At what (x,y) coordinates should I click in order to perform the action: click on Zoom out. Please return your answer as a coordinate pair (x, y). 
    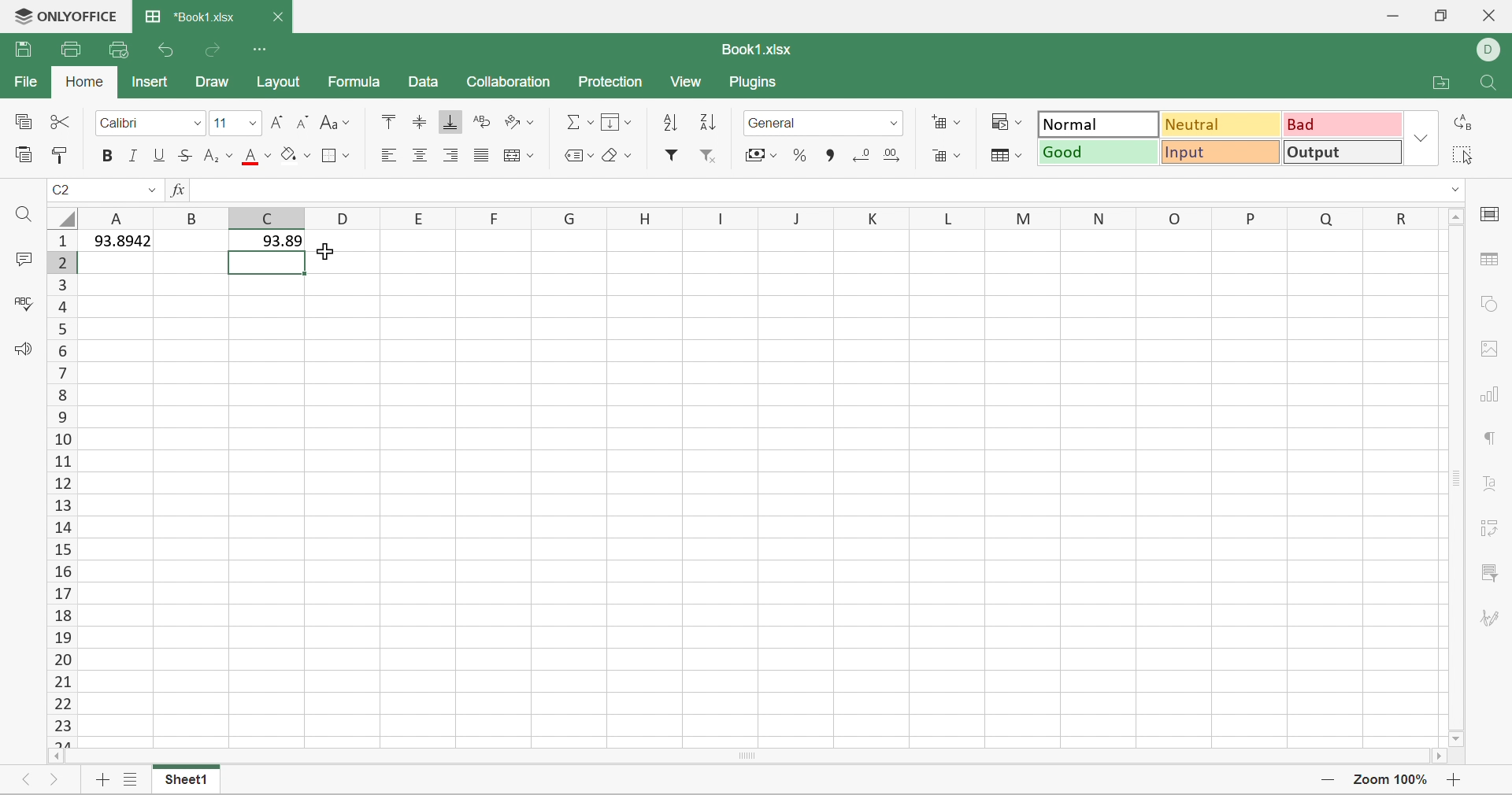
    Looking at the image, I should click on (1323, 778).